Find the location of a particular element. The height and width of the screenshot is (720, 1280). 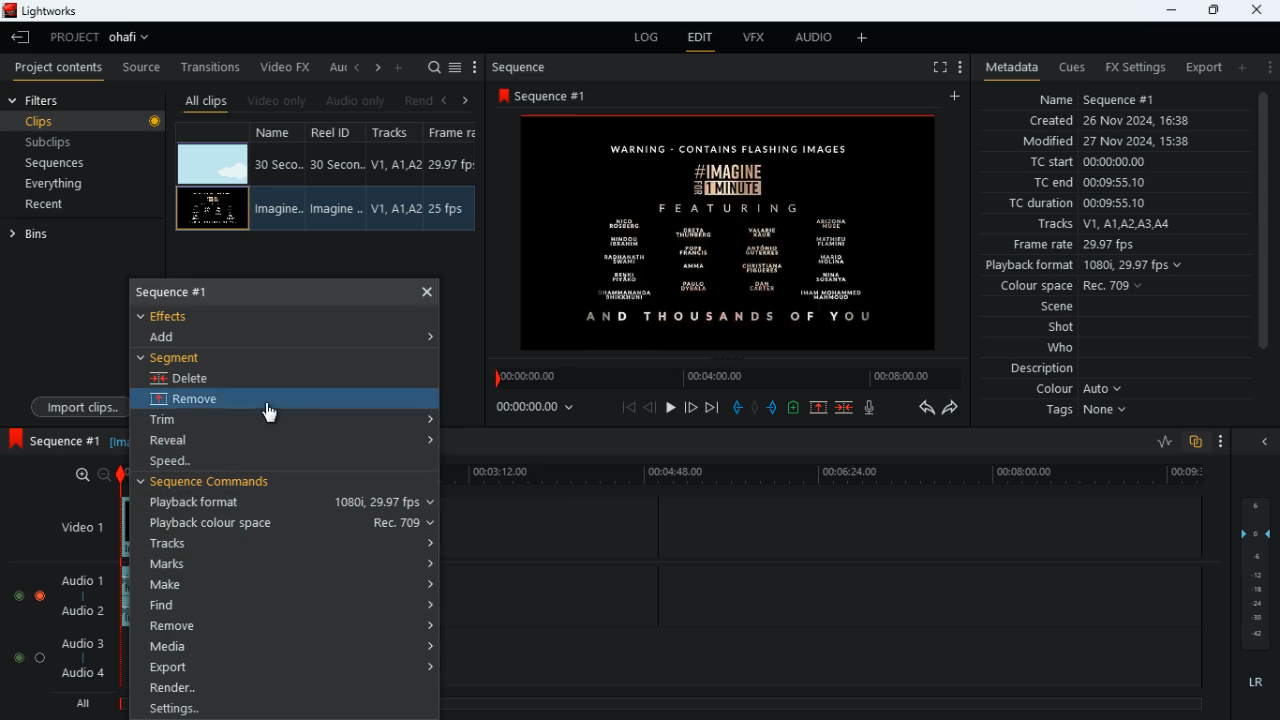

everything is located at coordinates (60, 186).